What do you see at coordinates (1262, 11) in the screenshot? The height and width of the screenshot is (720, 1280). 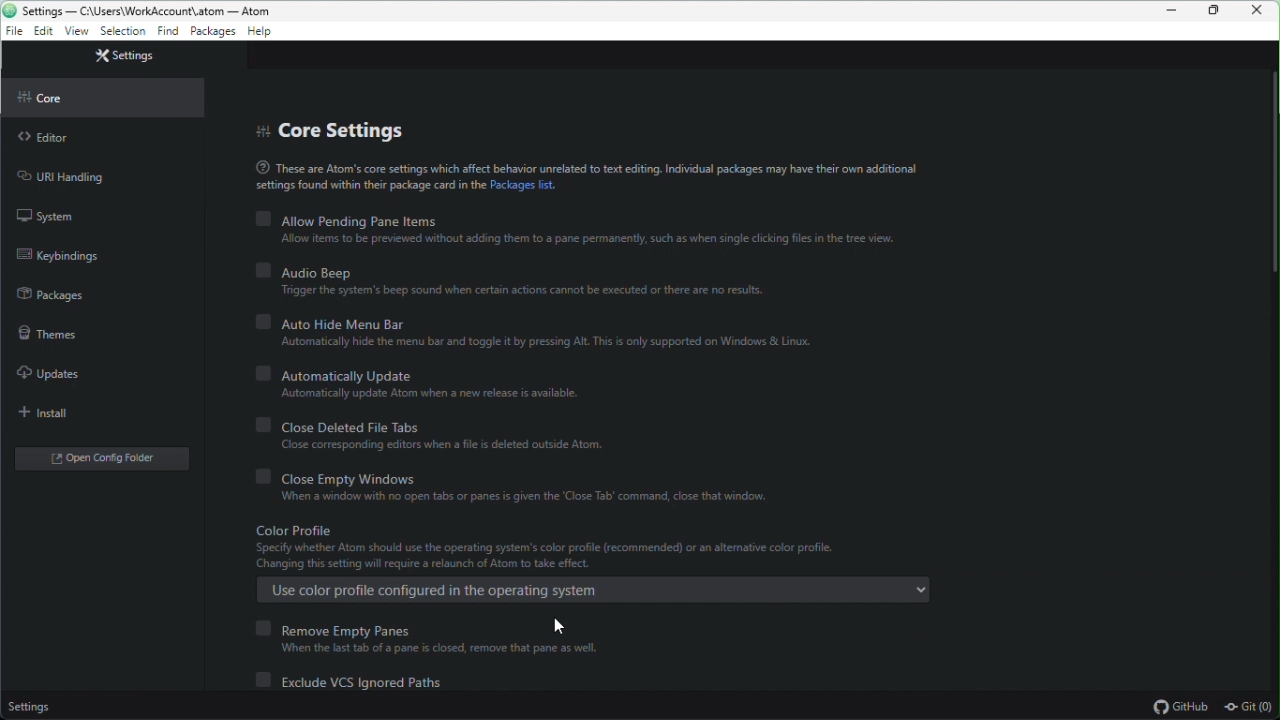 I see `Close` at bounding box center [1262, 11].